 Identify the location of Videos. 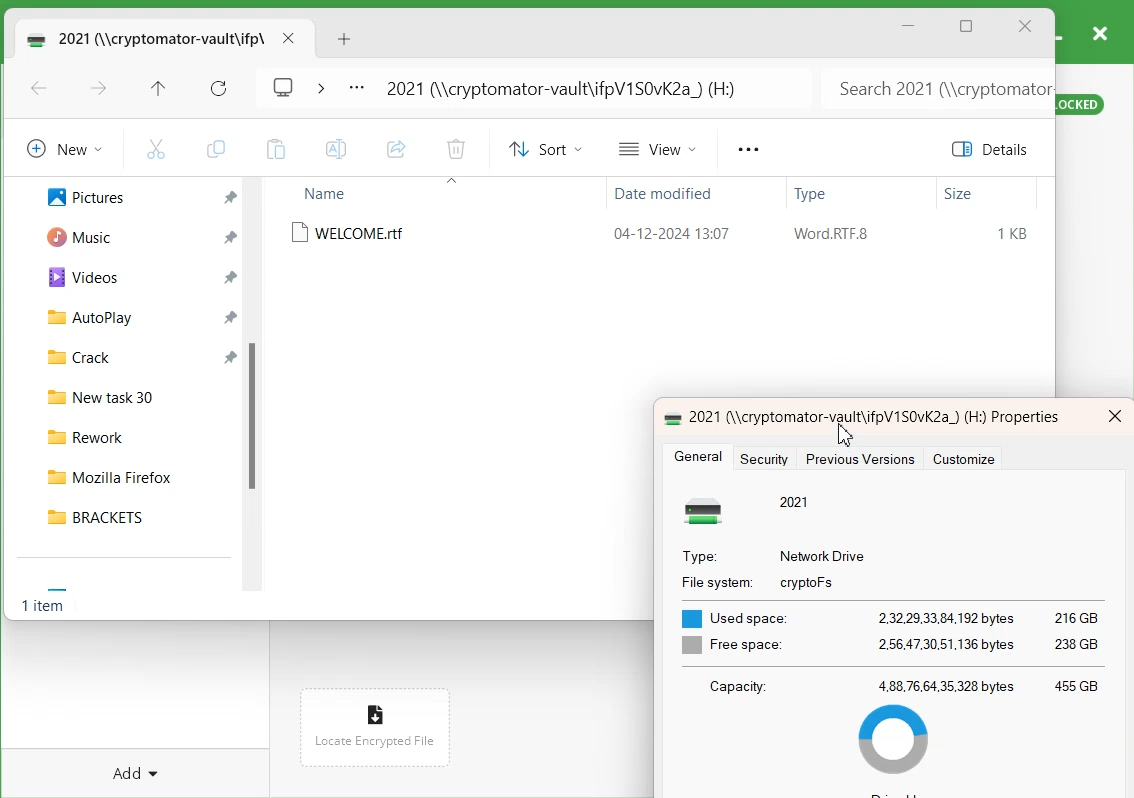
(75, 276).